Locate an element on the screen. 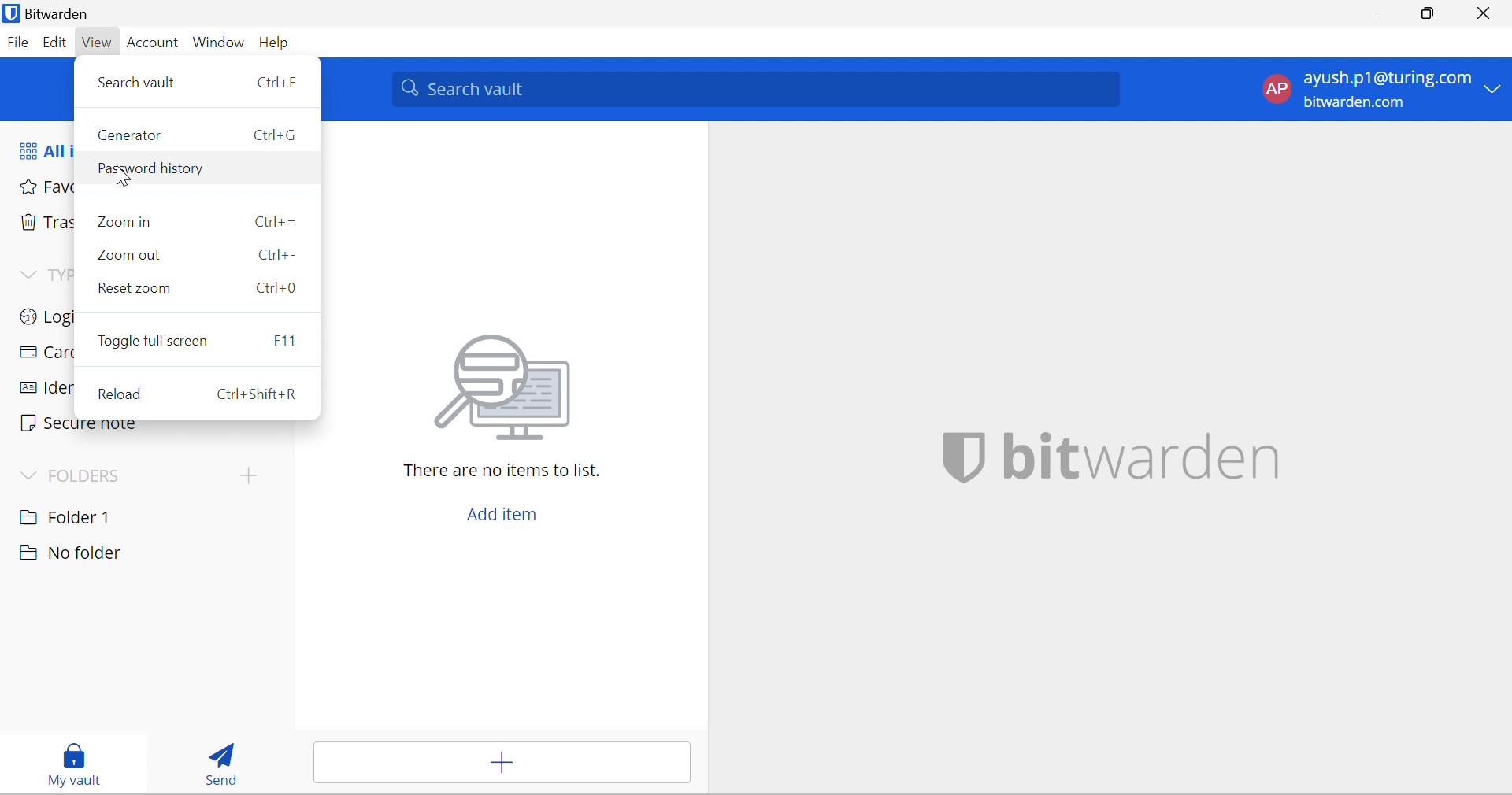  Generator is located at coordinates (197, 135).